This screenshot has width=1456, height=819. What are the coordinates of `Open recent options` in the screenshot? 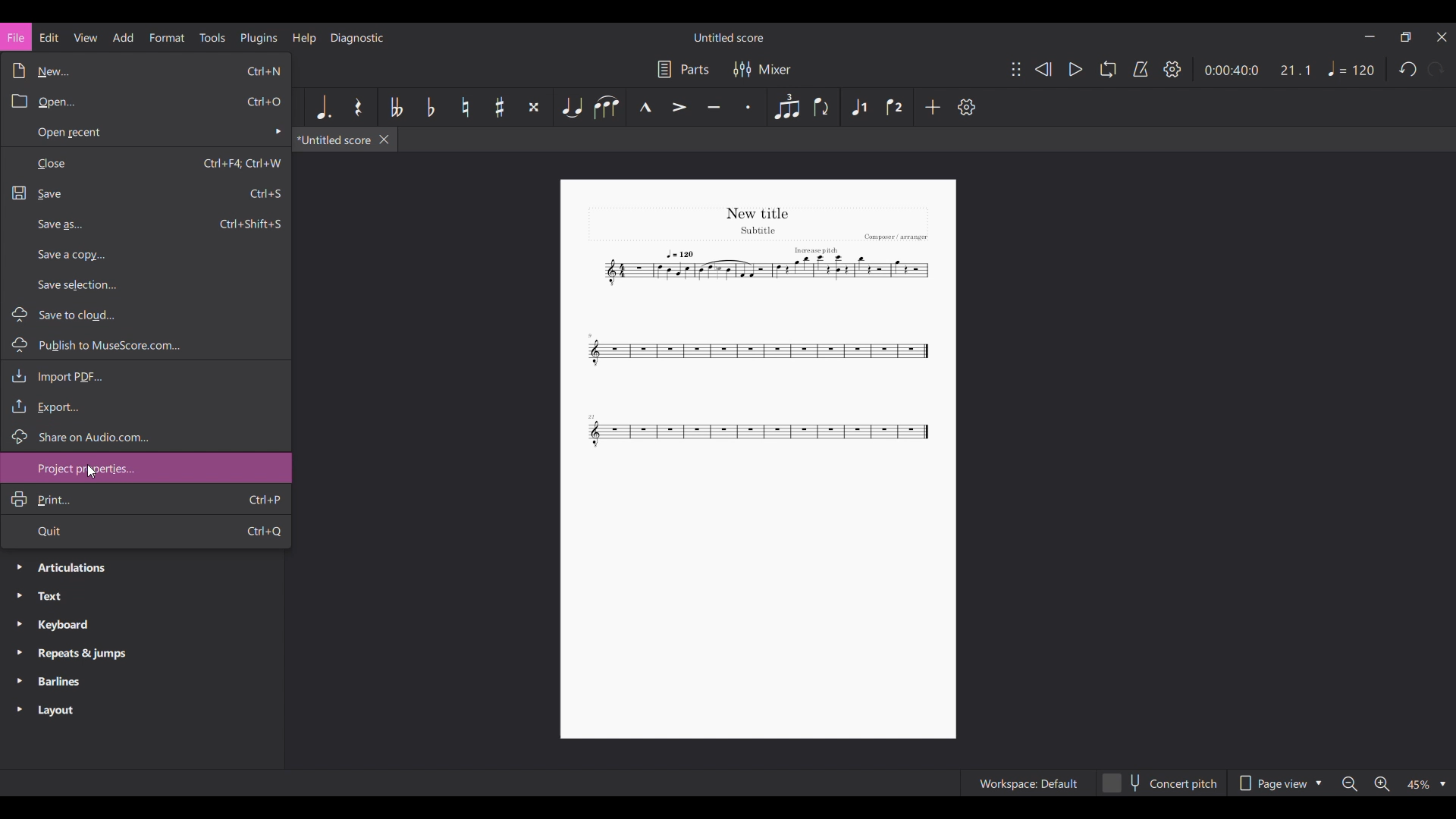 It's located at (146, 132).